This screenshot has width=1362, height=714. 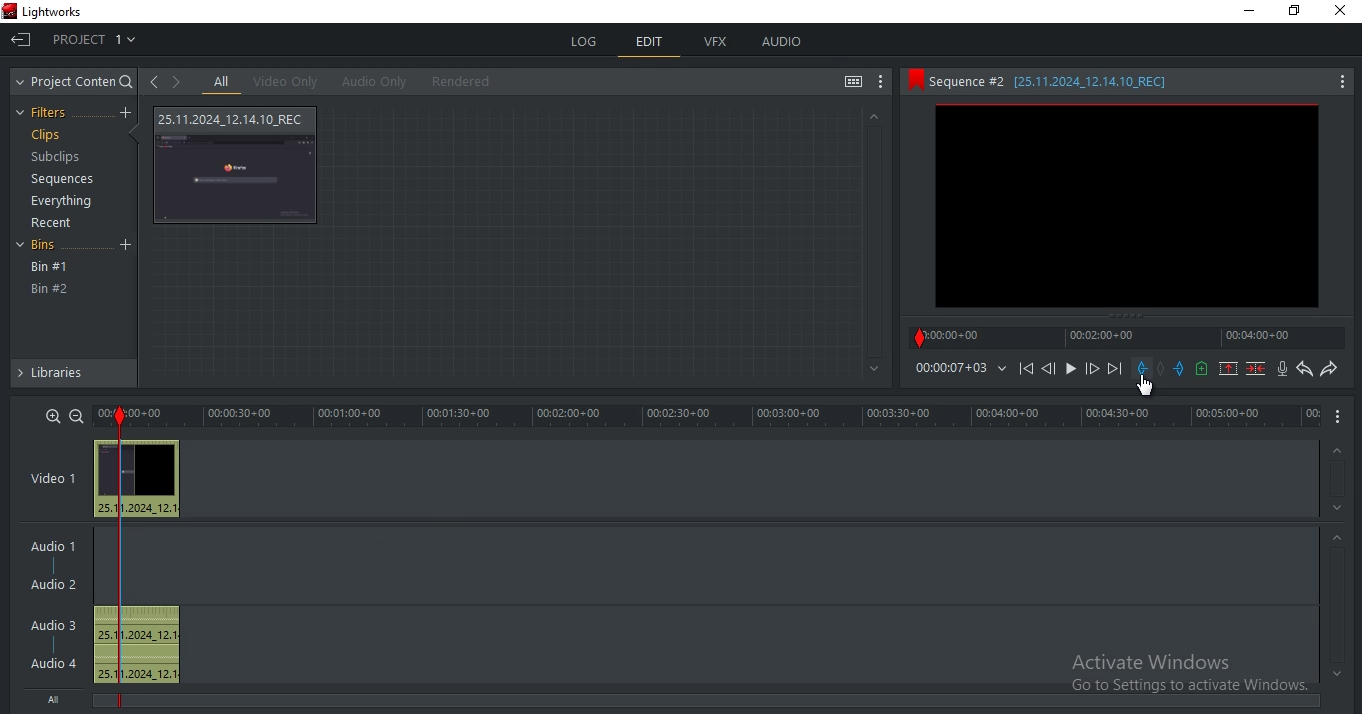 I want to click on audio, so click(x=782, y=43).